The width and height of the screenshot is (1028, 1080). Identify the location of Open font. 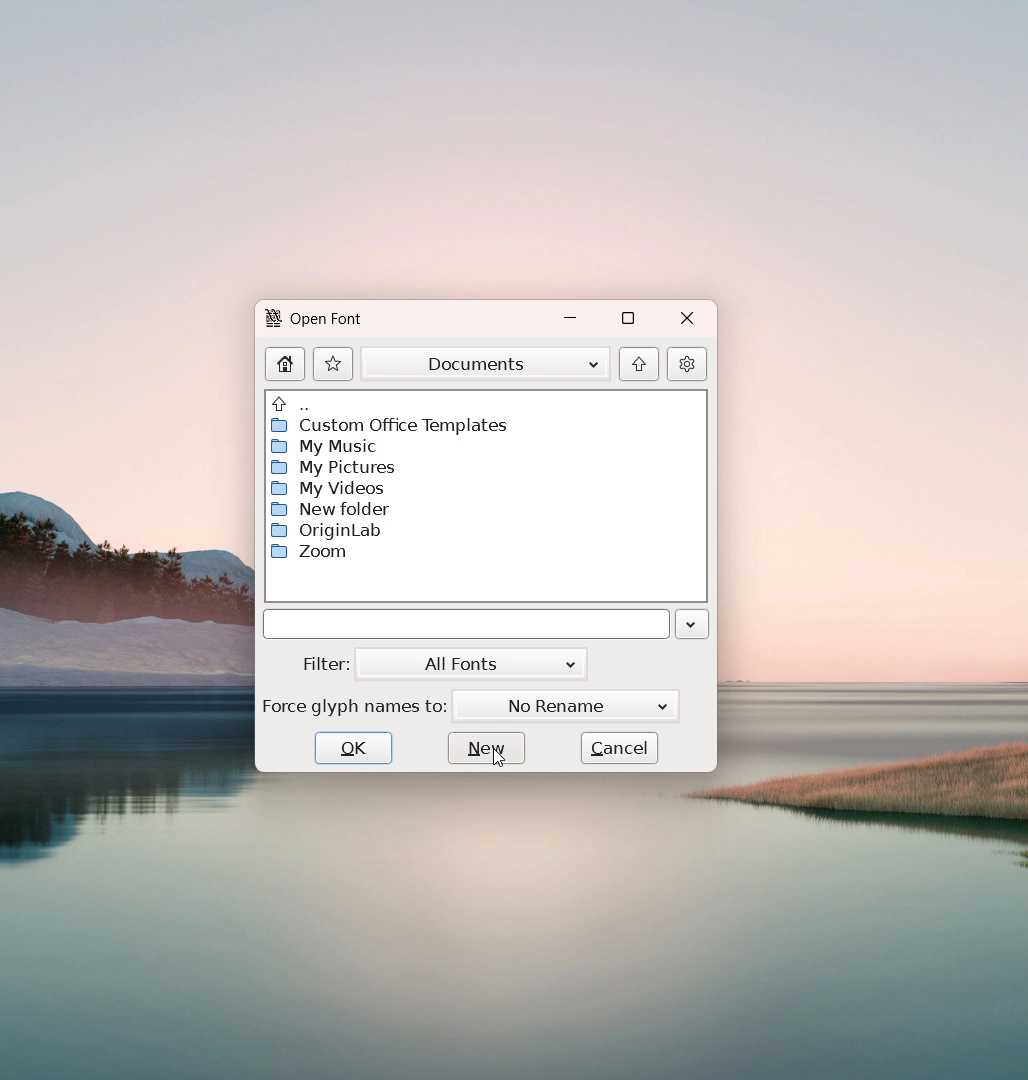
(327, 321).